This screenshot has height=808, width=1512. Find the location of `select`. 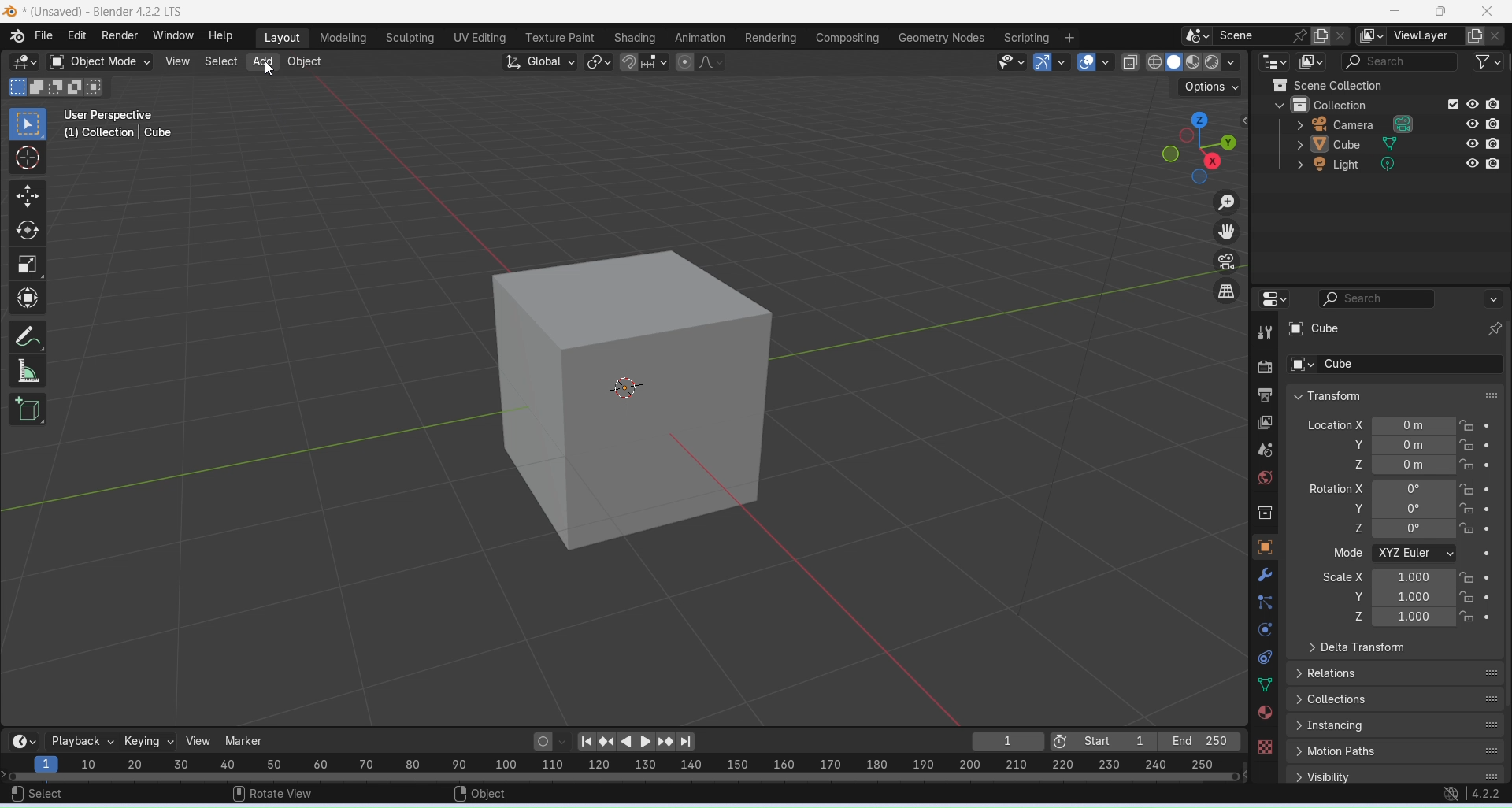

select is located at coordinates (39, 794).